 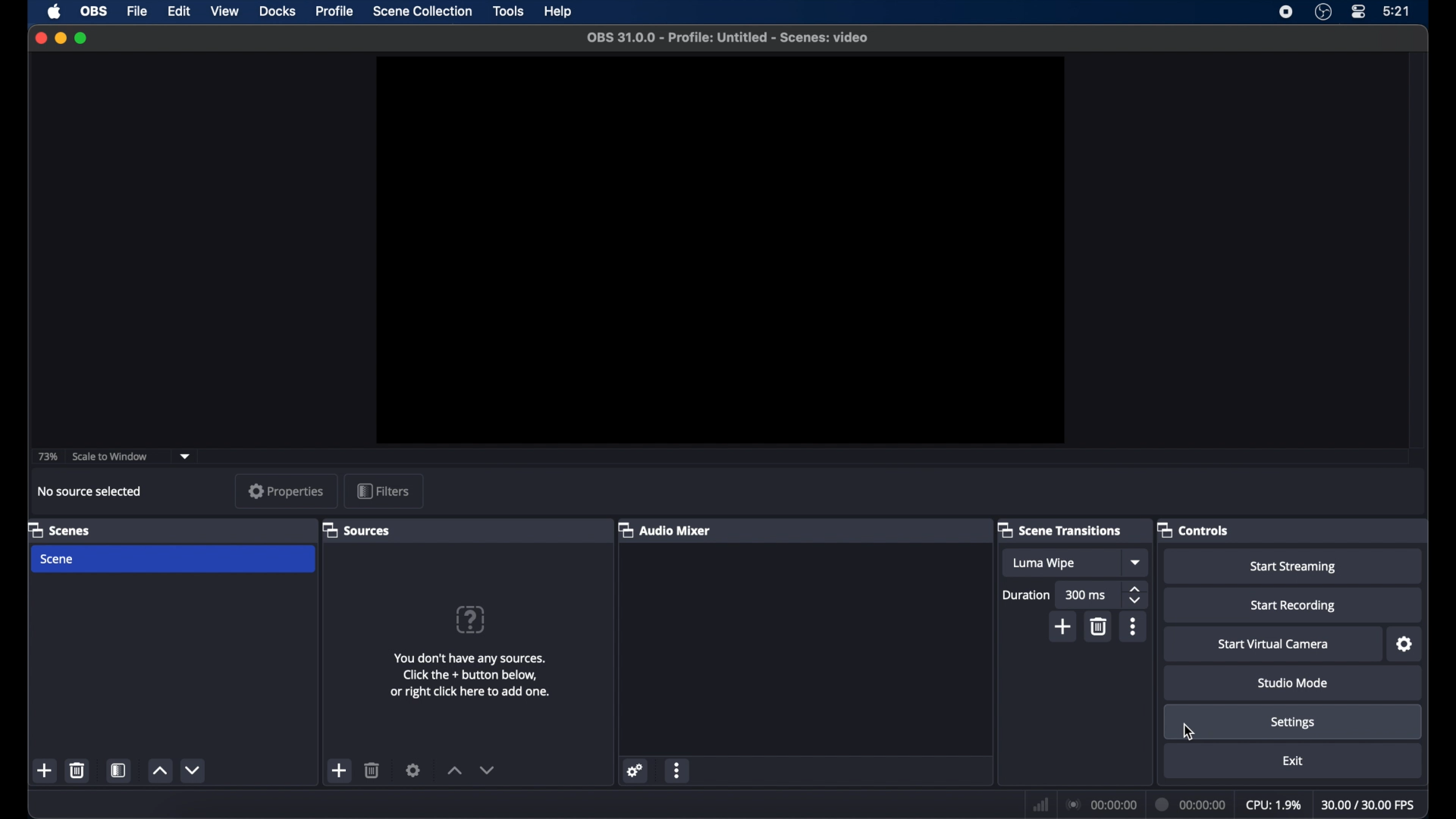 What do you see at coordinates (414, 770) in the screenshot?
I see `settings` at bounding box center [414, 770].